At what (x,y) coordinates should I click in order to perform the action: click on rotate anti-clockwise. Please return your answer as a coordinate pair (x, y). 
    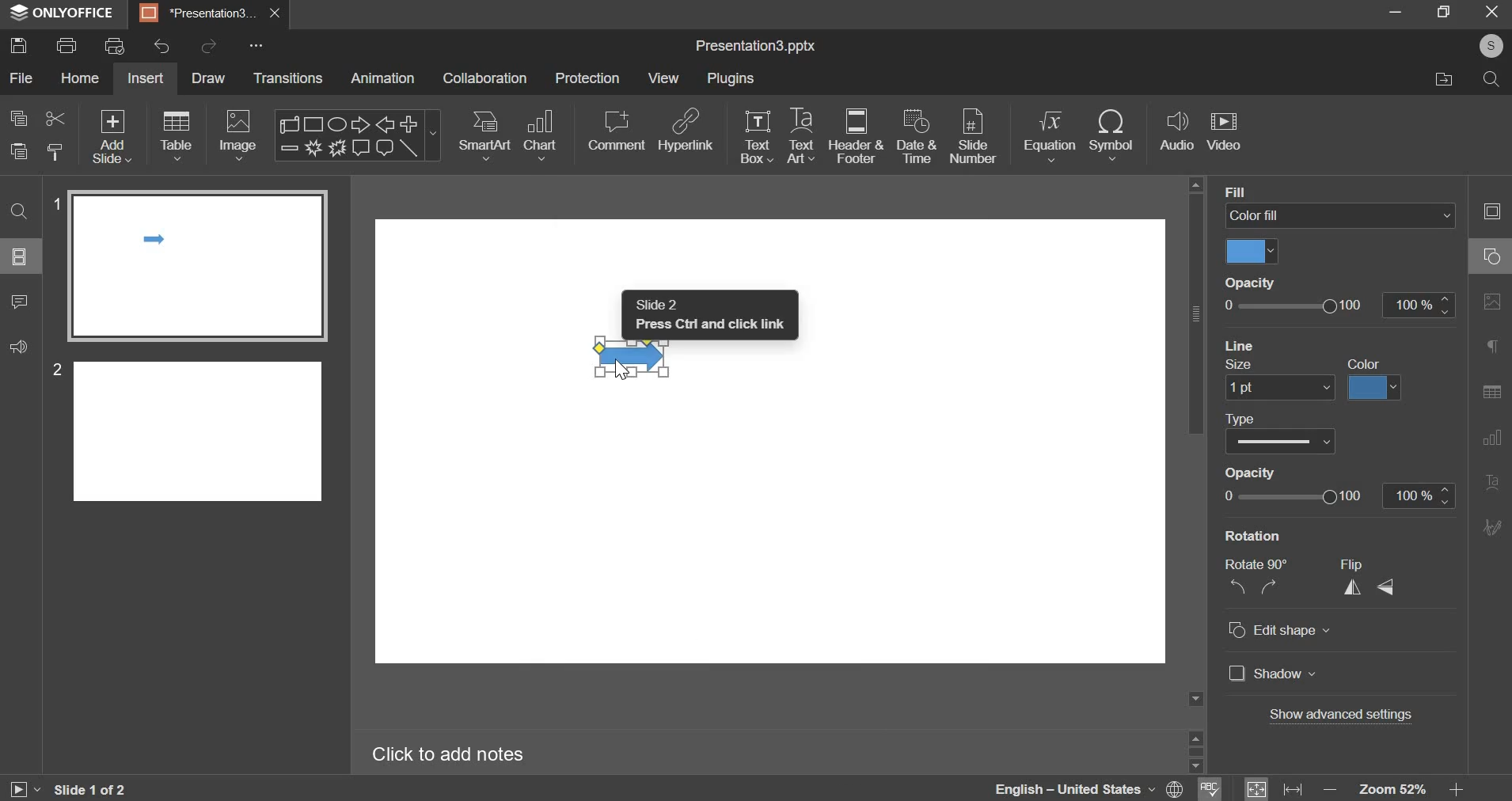
    Looking at the image, I should click on (1237, 586).